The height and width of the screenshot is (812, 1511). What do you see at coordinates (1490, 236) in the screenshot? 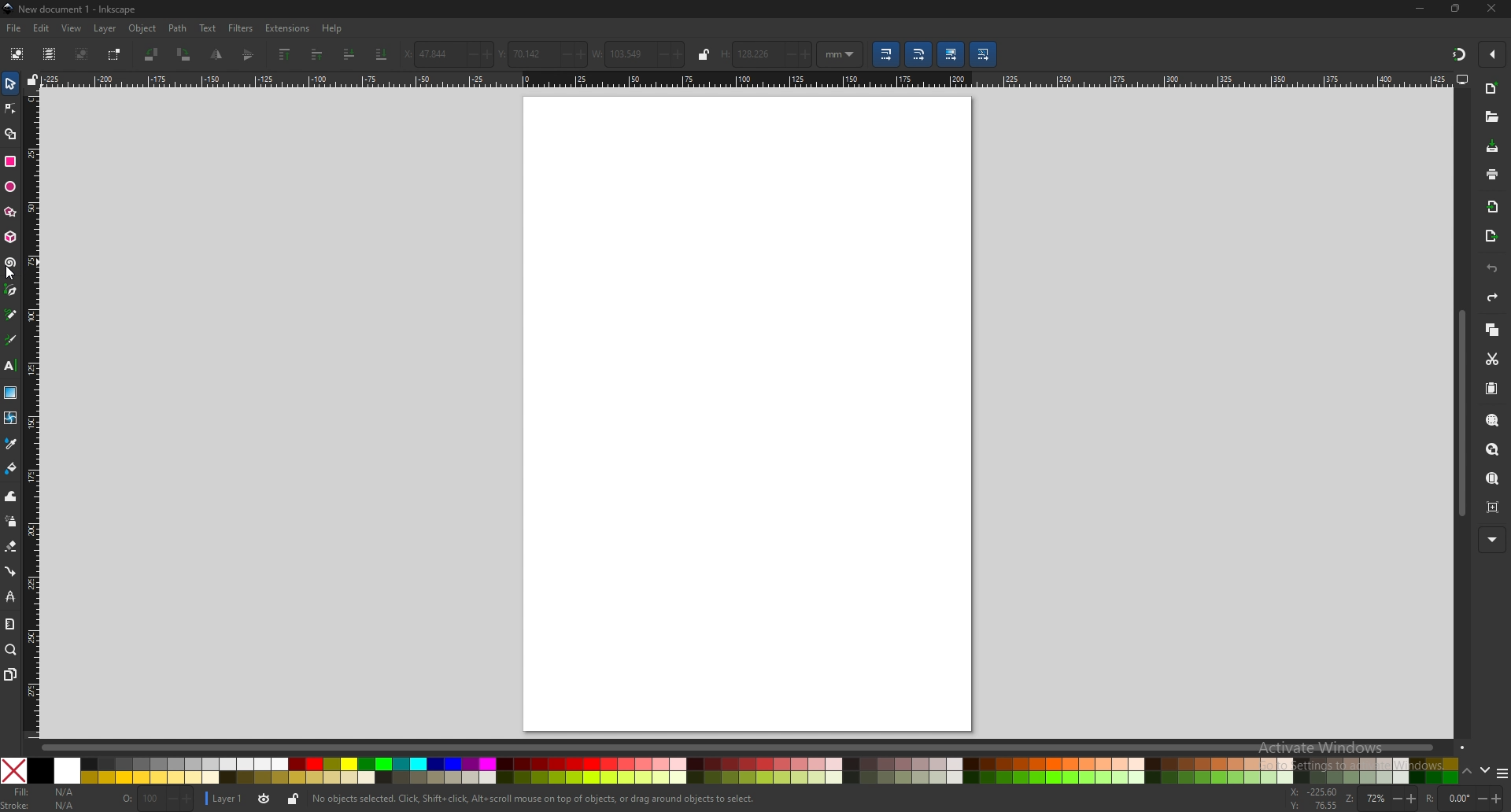
I see `export` at bounding box center [1490, 236].